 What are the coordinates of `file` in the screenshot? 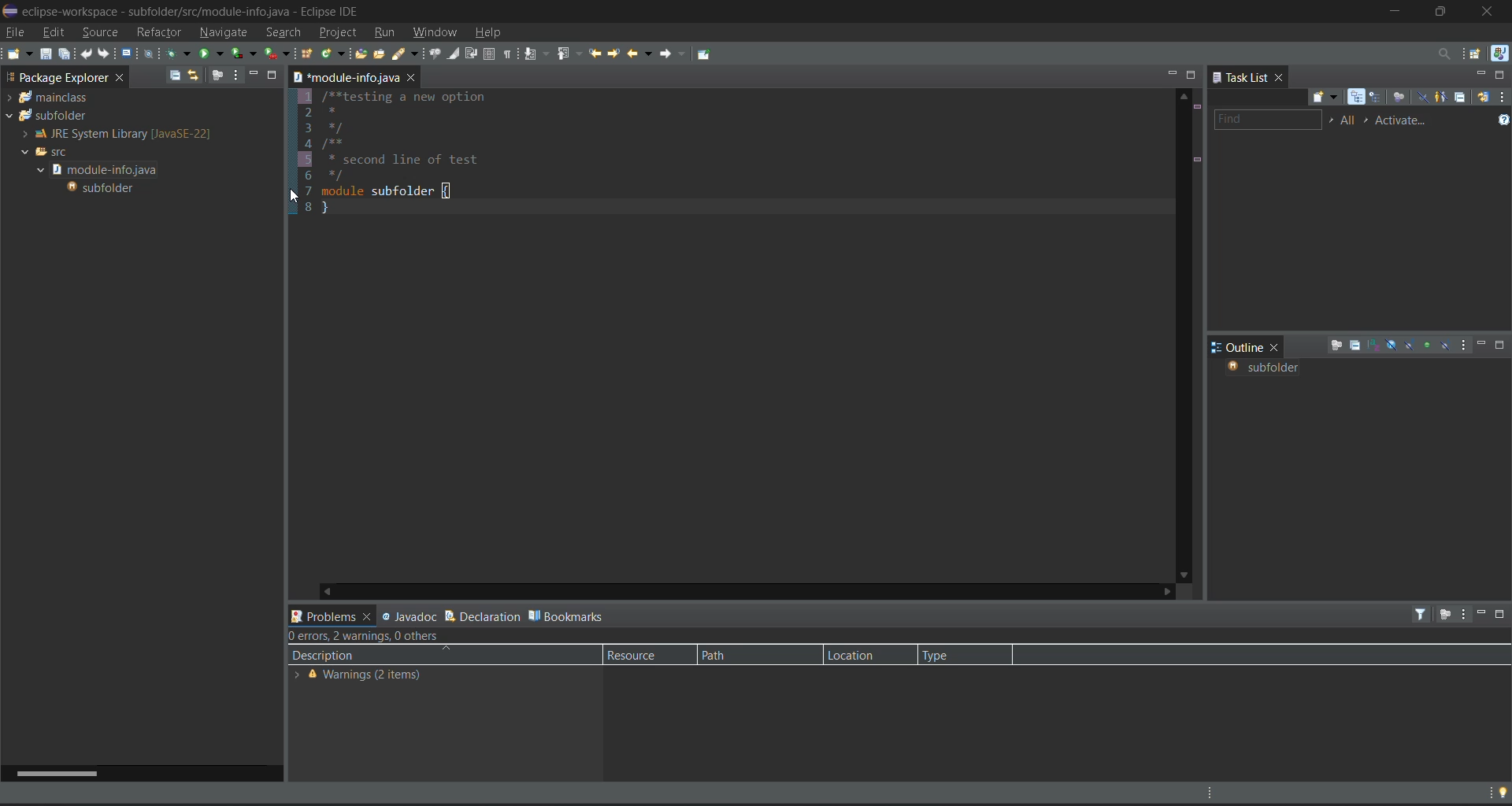 It's located at (14, 31).